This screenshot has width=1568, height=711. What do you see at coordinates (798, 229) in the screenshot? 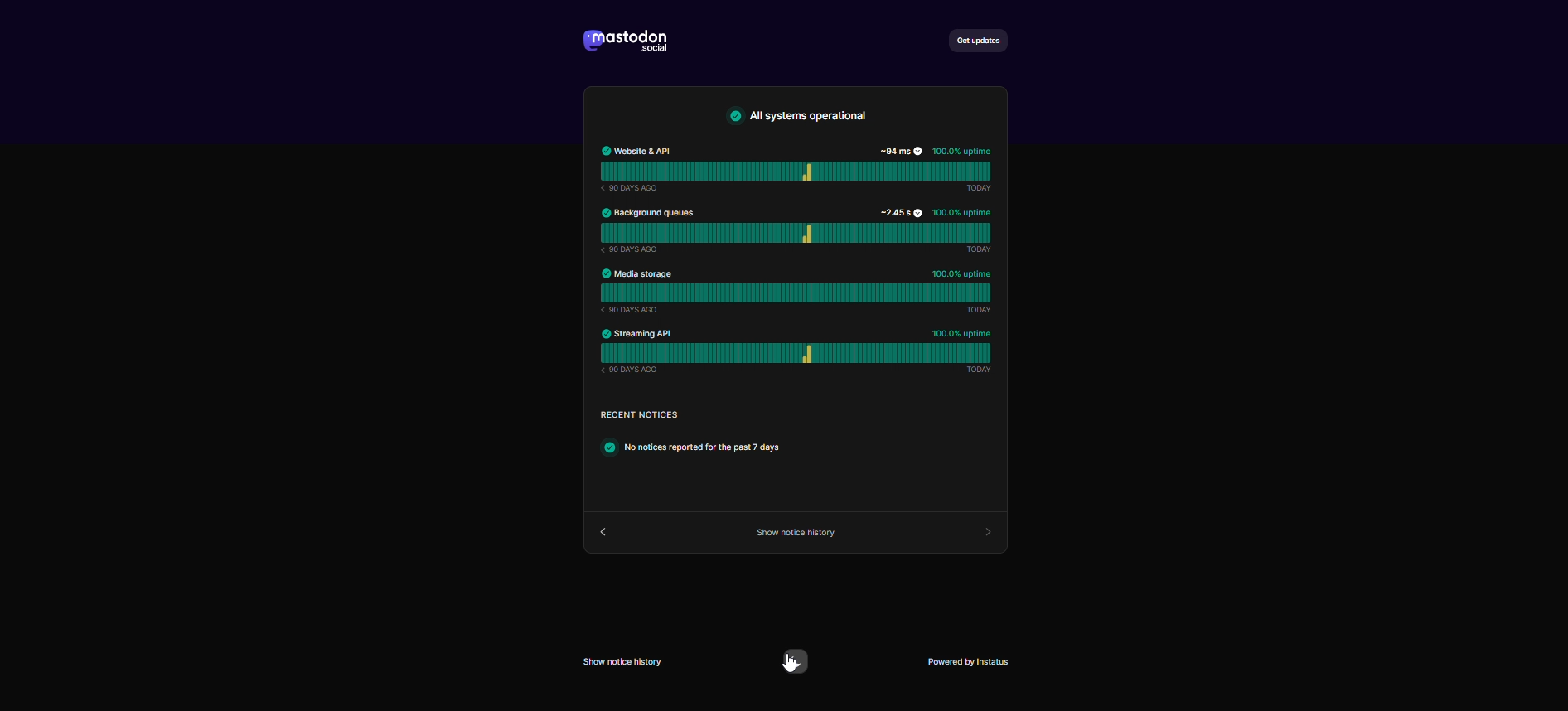
I see `background queues` at bounding box center [798, 229].